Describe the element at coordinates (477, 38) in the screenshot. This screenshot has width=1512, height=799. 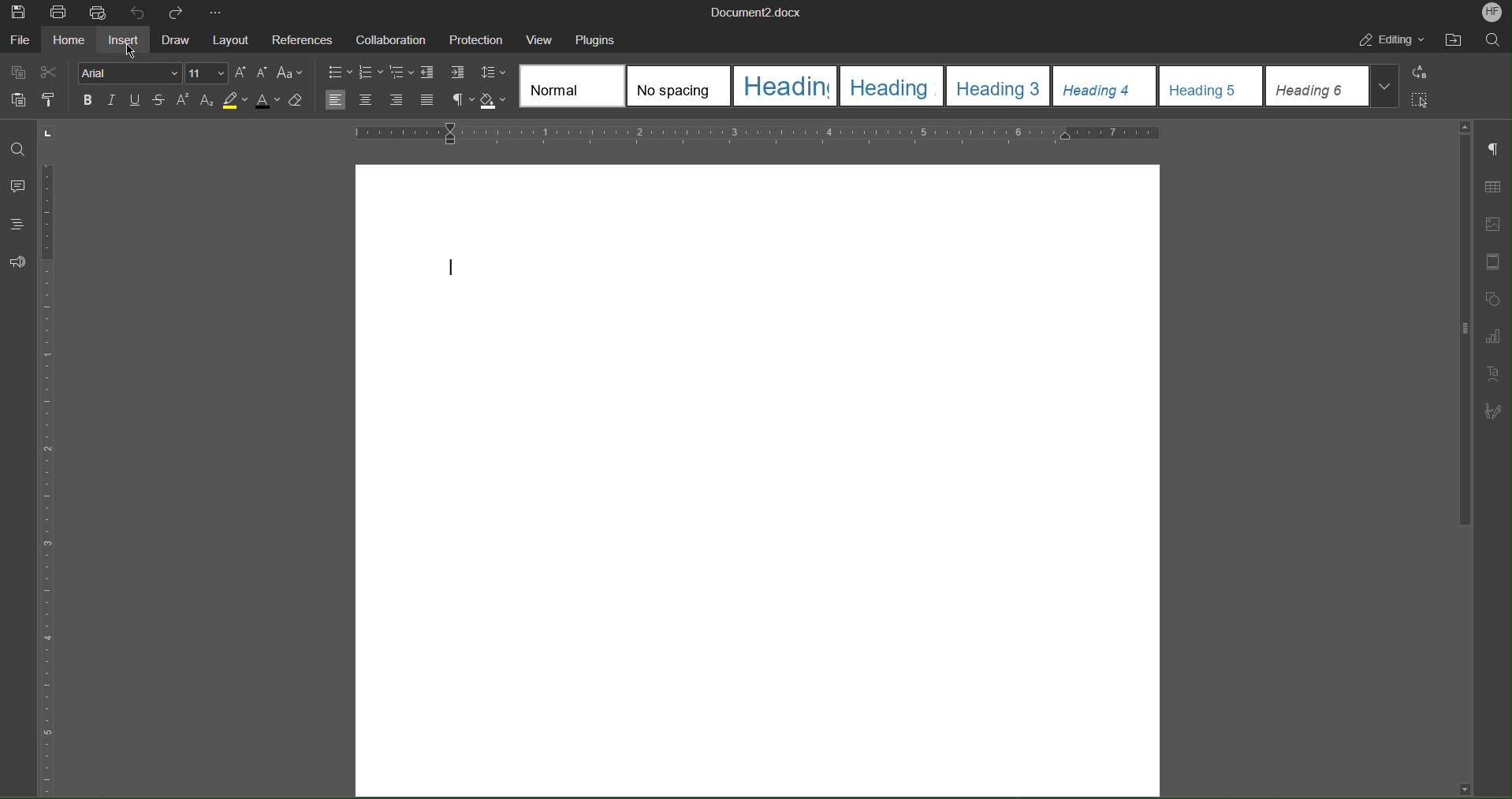
I see `Protection` at that location.